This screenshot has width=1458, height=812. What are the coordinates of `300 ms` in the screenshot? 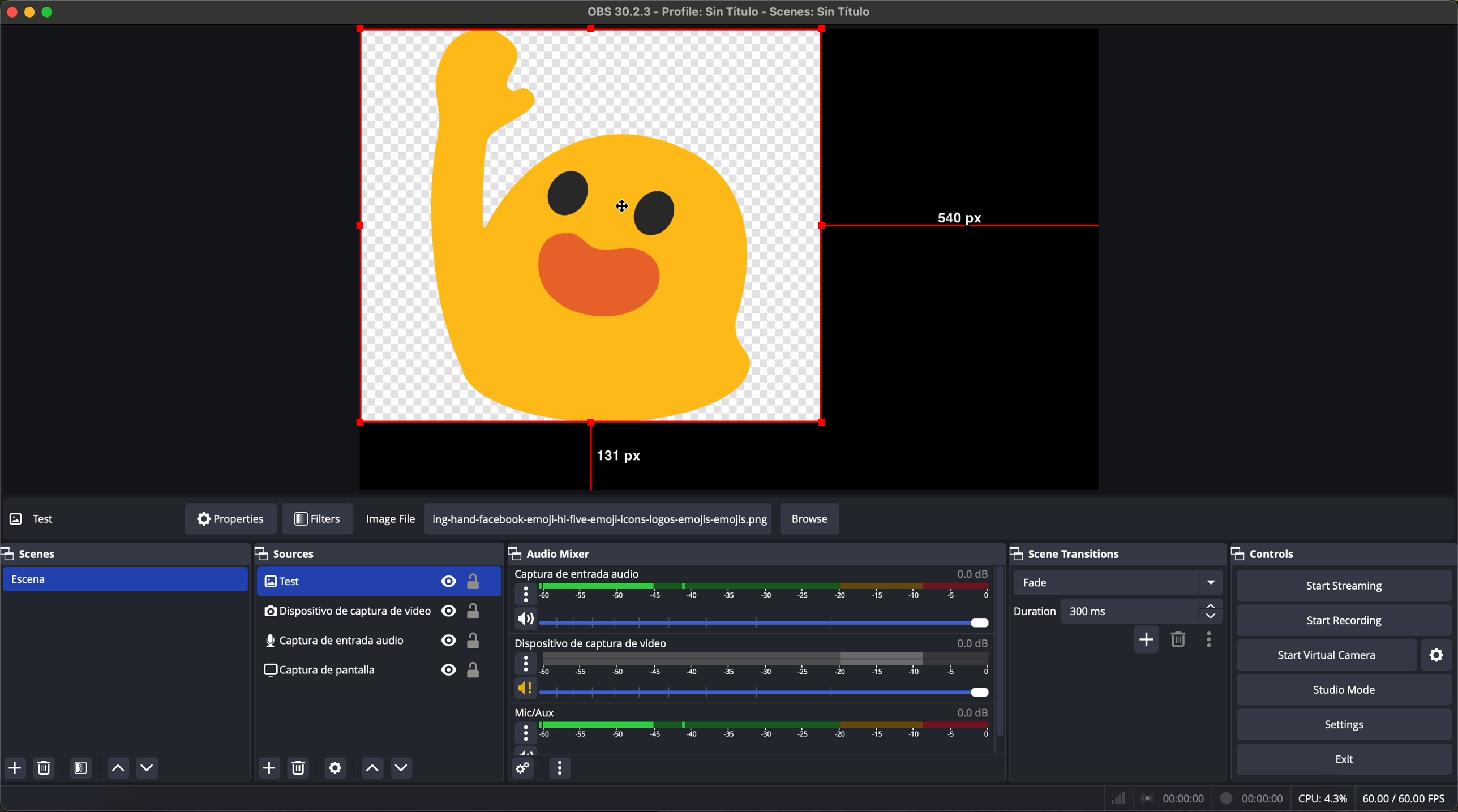 It's located at (1143, 611).